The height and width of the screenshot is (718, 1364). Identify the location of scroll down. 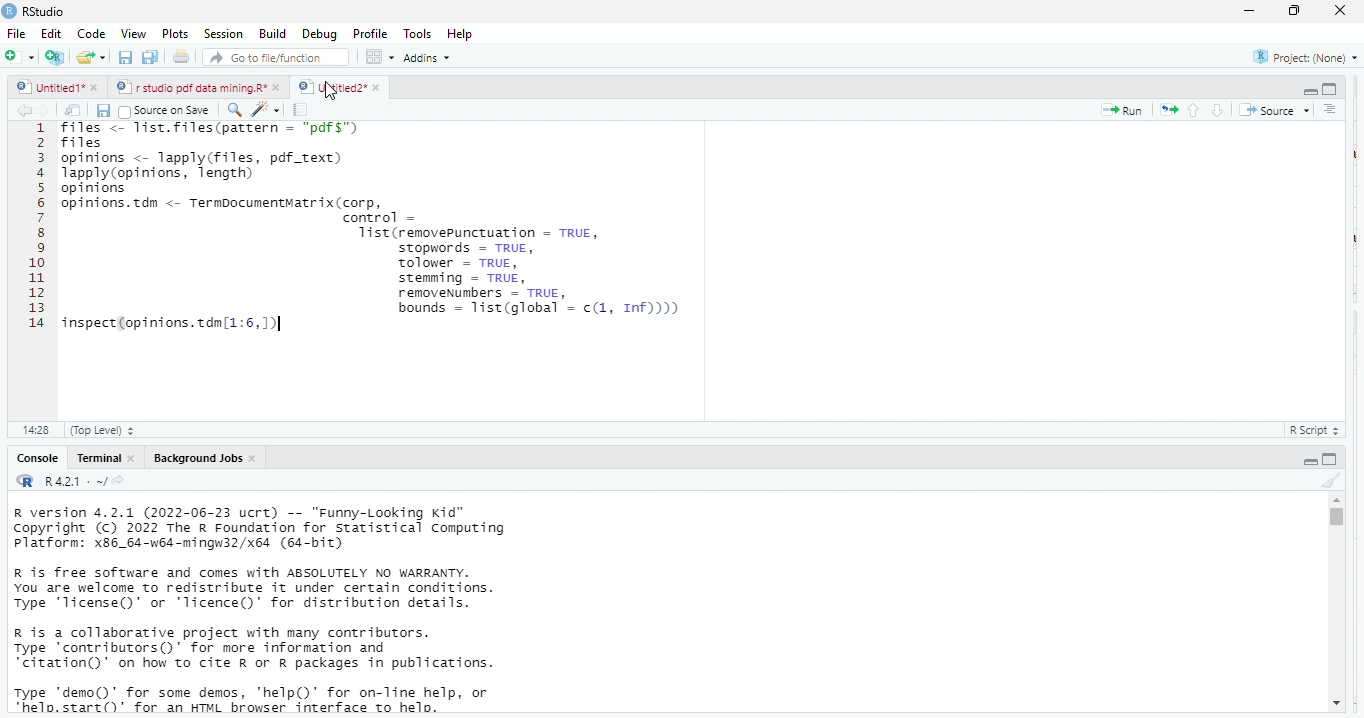
(1335, 705).